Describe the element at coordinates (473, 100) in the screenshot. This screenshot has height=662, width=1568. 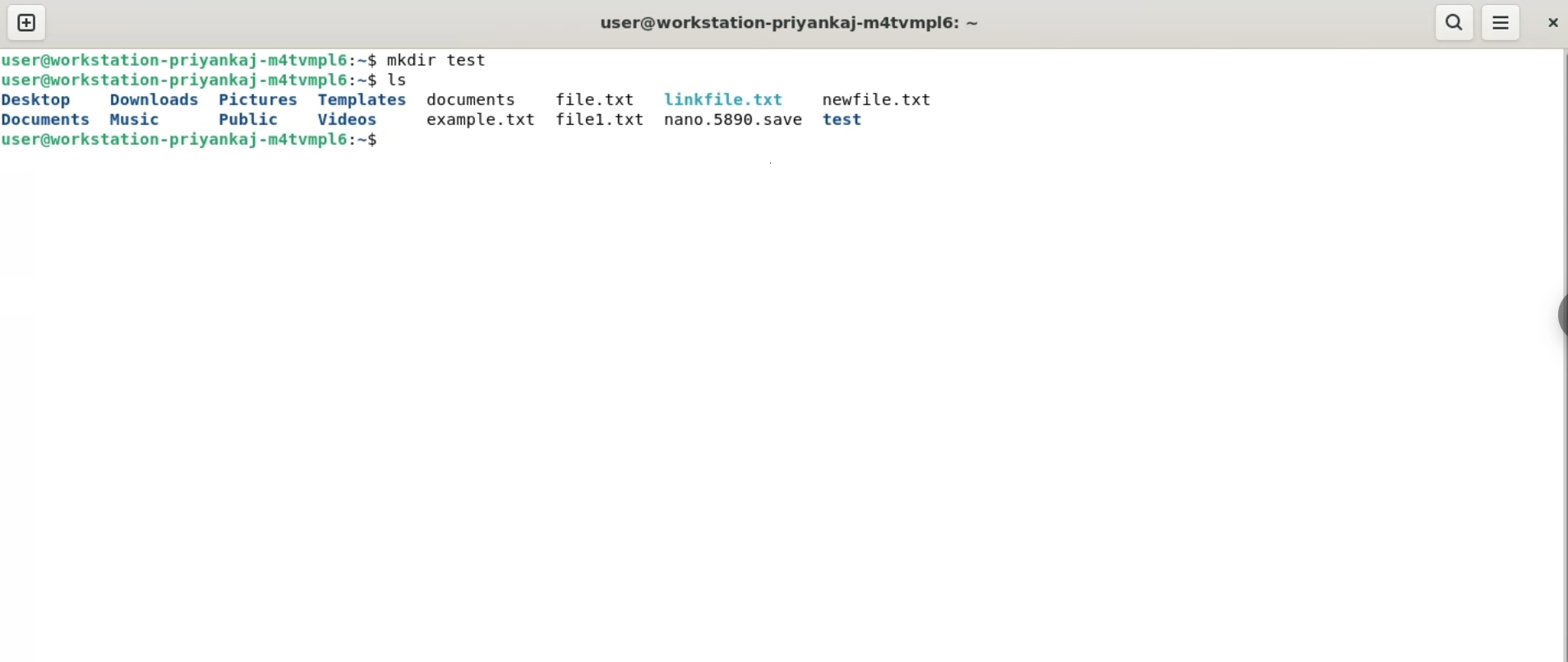
I see `documents` at that location.